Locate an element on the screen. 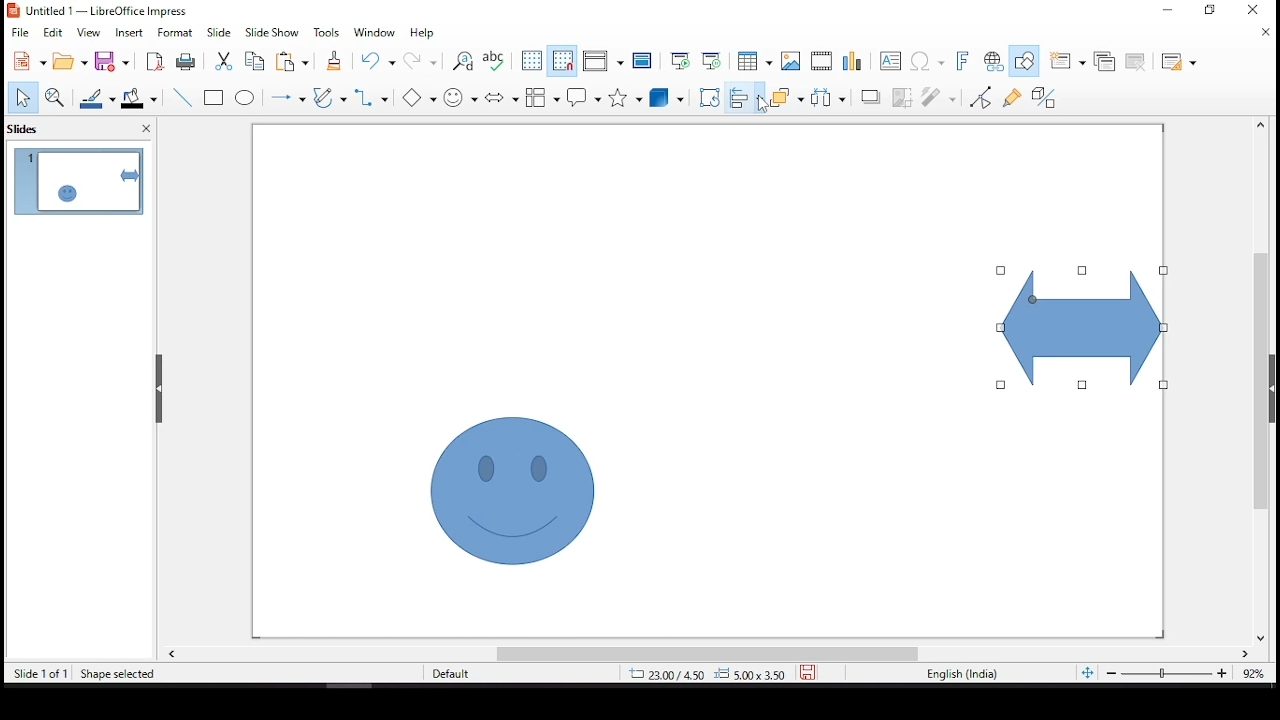  insert font work text is located at coordinates (963, 60).